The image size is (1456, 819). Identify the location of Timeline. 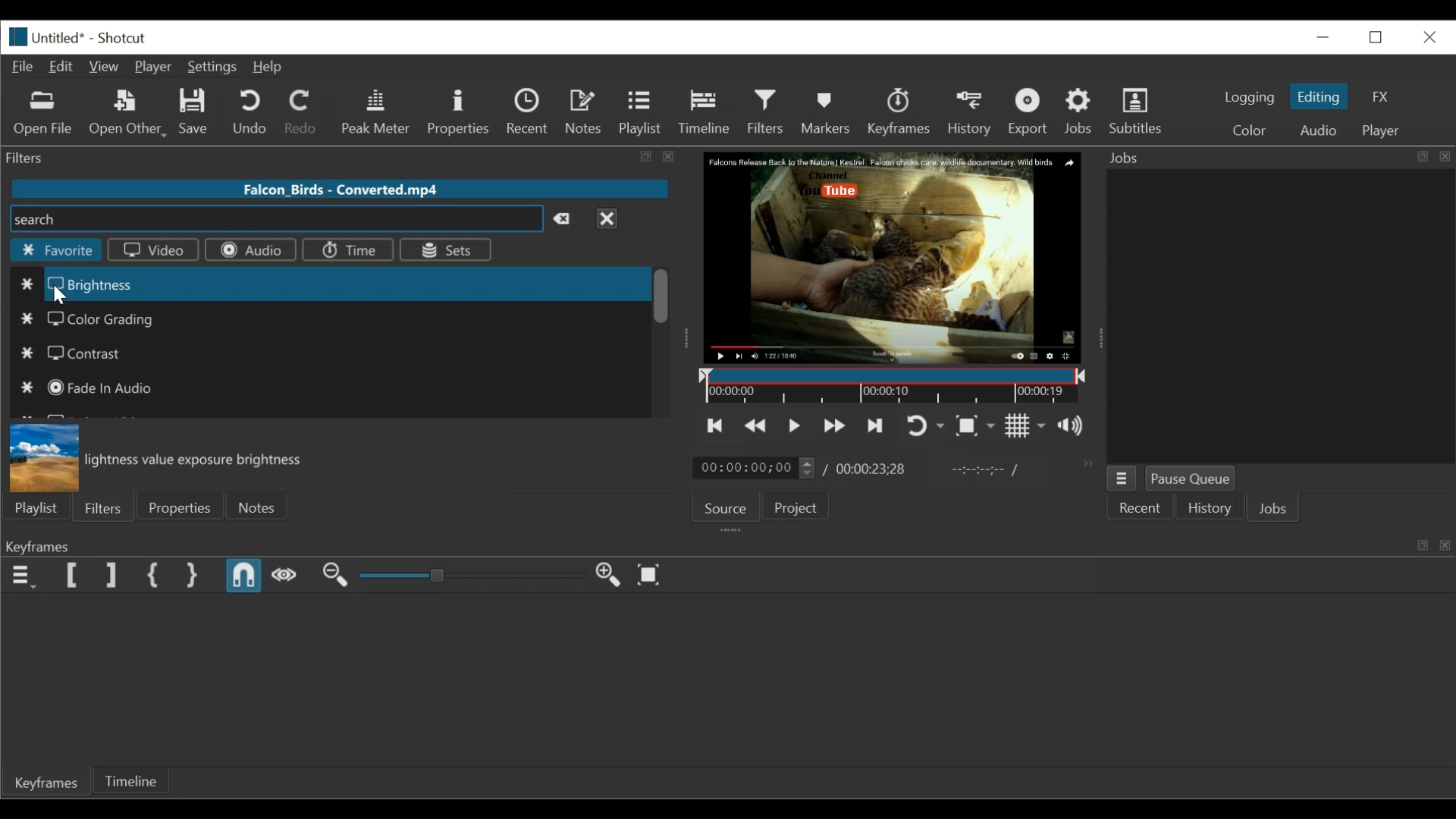
(889, 384).